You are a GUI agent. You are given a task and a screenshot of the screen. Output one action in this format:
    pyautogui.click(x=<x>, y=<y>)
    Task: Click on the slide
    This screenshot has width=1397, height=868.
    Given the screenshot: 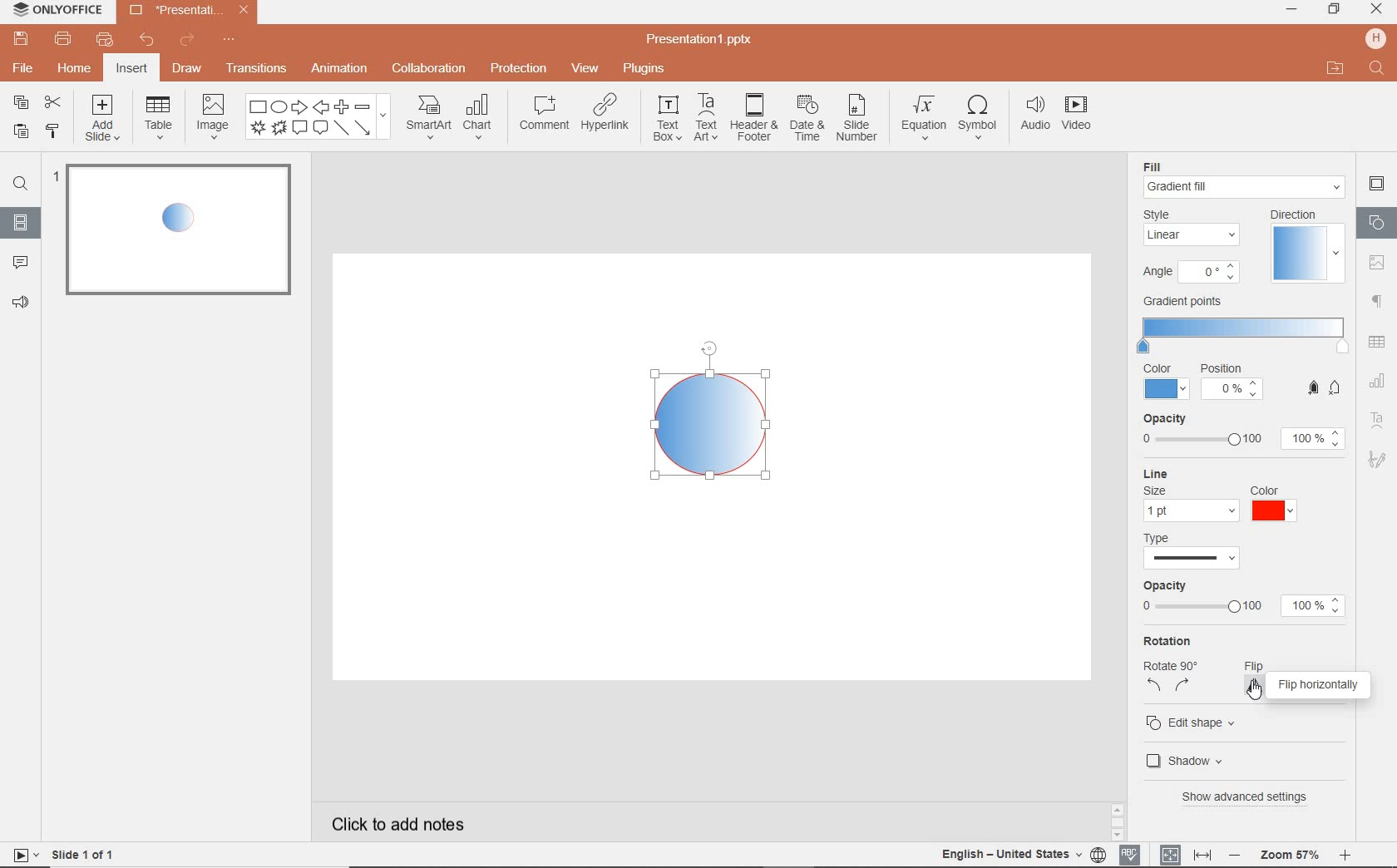 What is the action you would take?
    pyautogui.click(x=175, y=232)
    